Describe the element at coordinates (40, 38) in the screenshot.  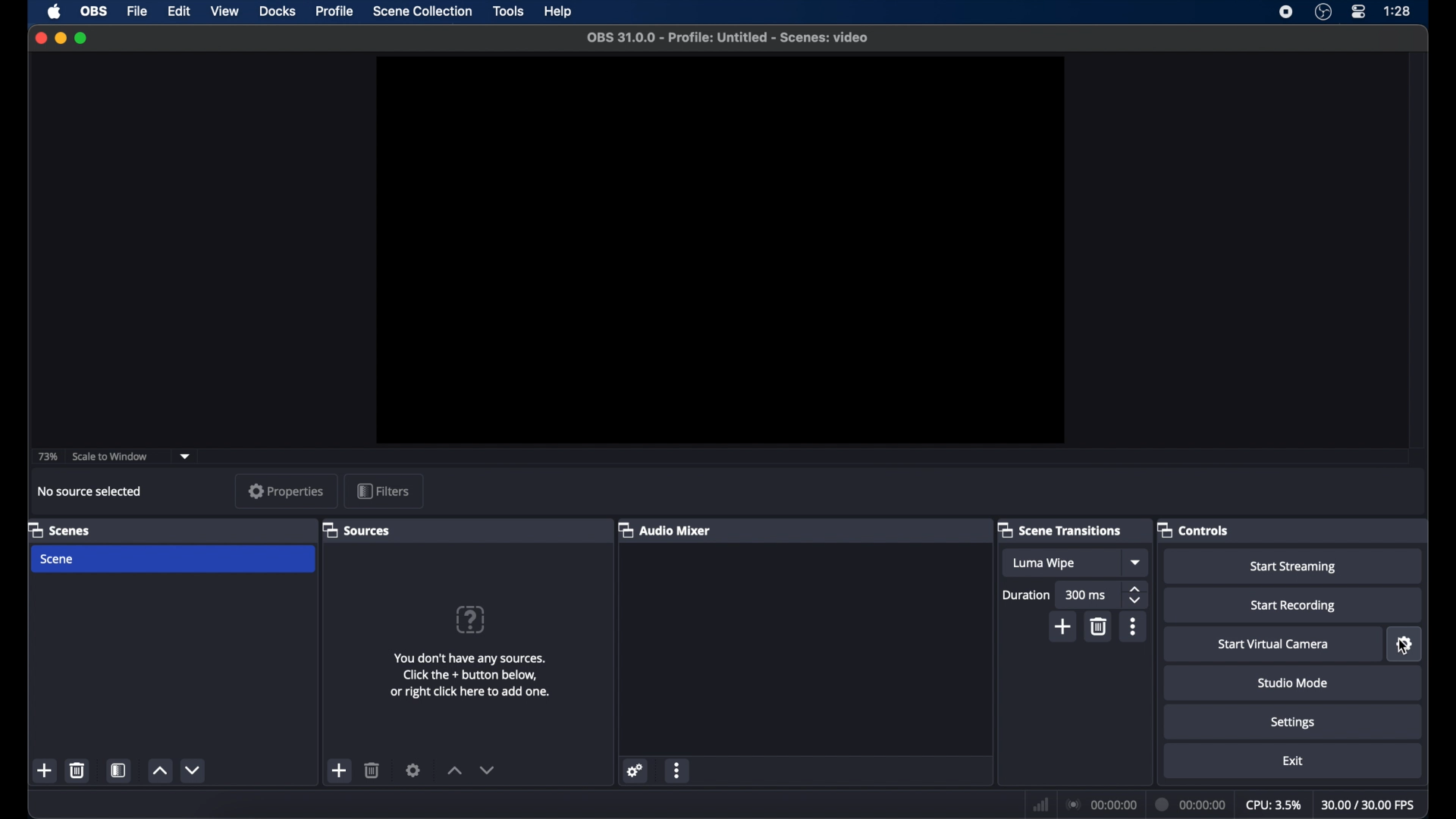
I see `close` at that location.